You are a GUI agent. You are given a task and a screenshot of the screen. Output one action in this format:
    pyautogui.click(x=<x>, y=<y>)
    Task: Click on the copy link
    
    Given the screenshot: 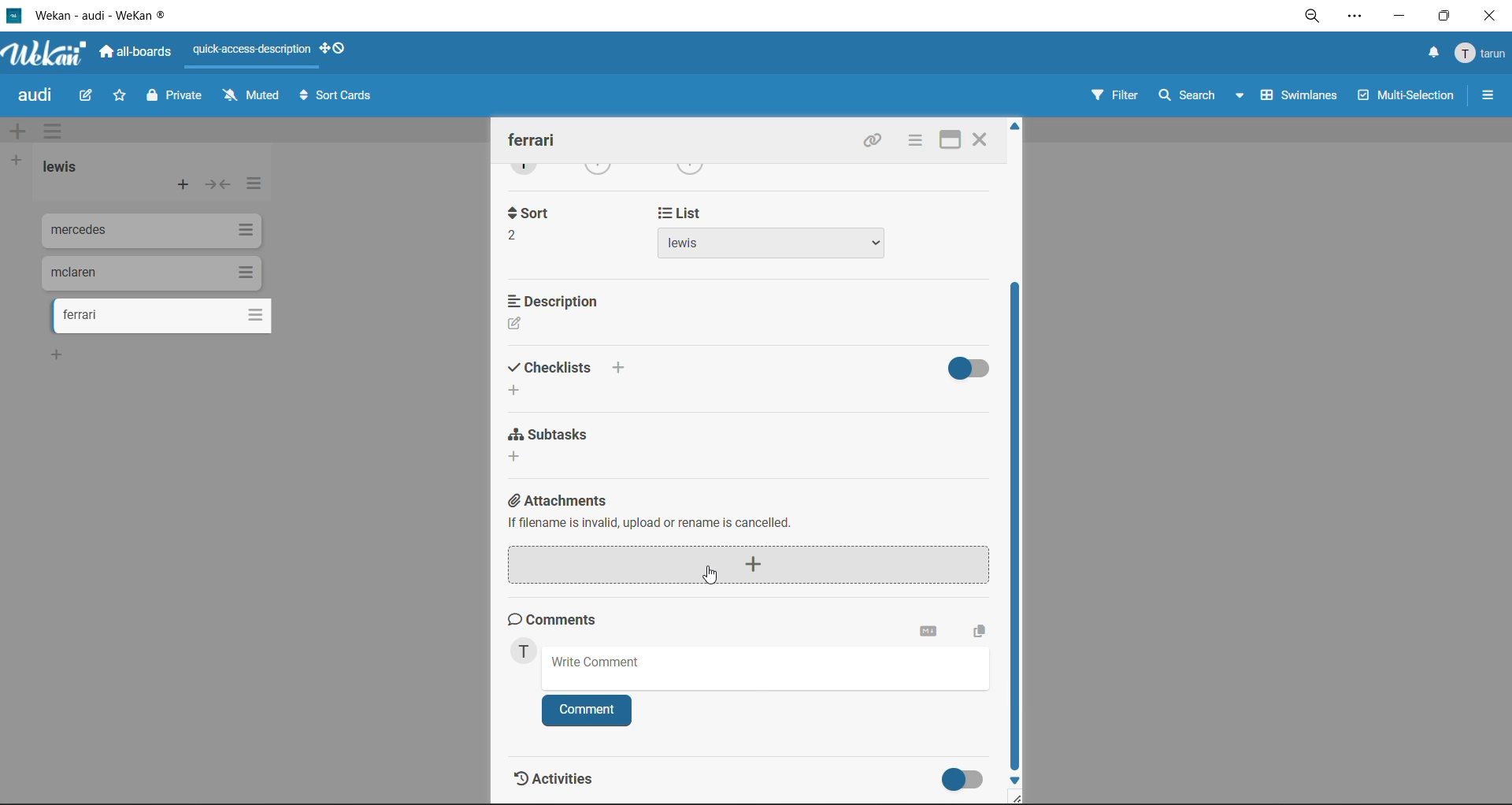 What is the action you would take?
    pyautogui.click(x=872, y=143)
    